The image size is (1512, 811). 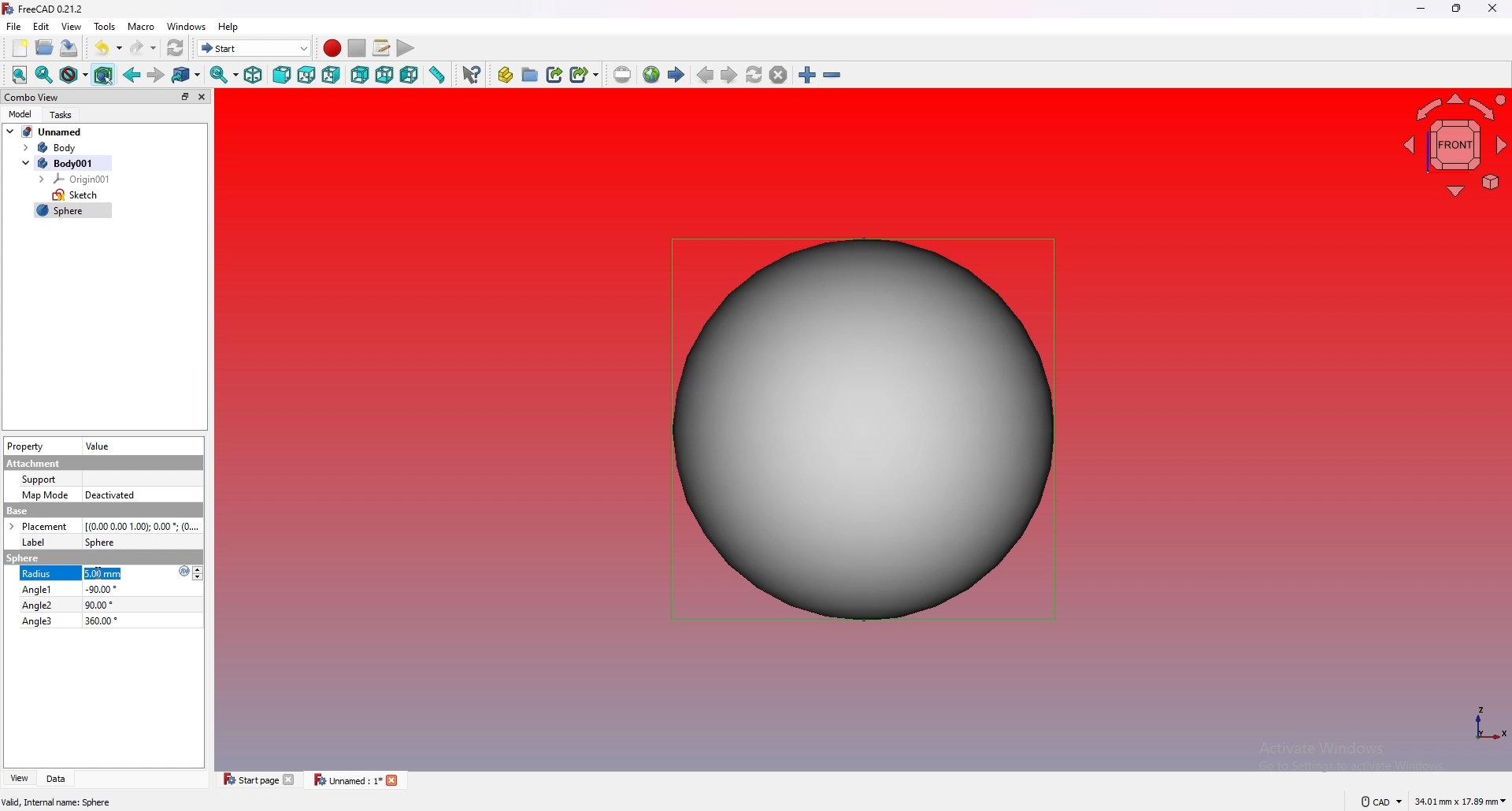 What do you see at coordinates (45, 48) in the screenshot?
I see `open` at bounding box center [45, 48].